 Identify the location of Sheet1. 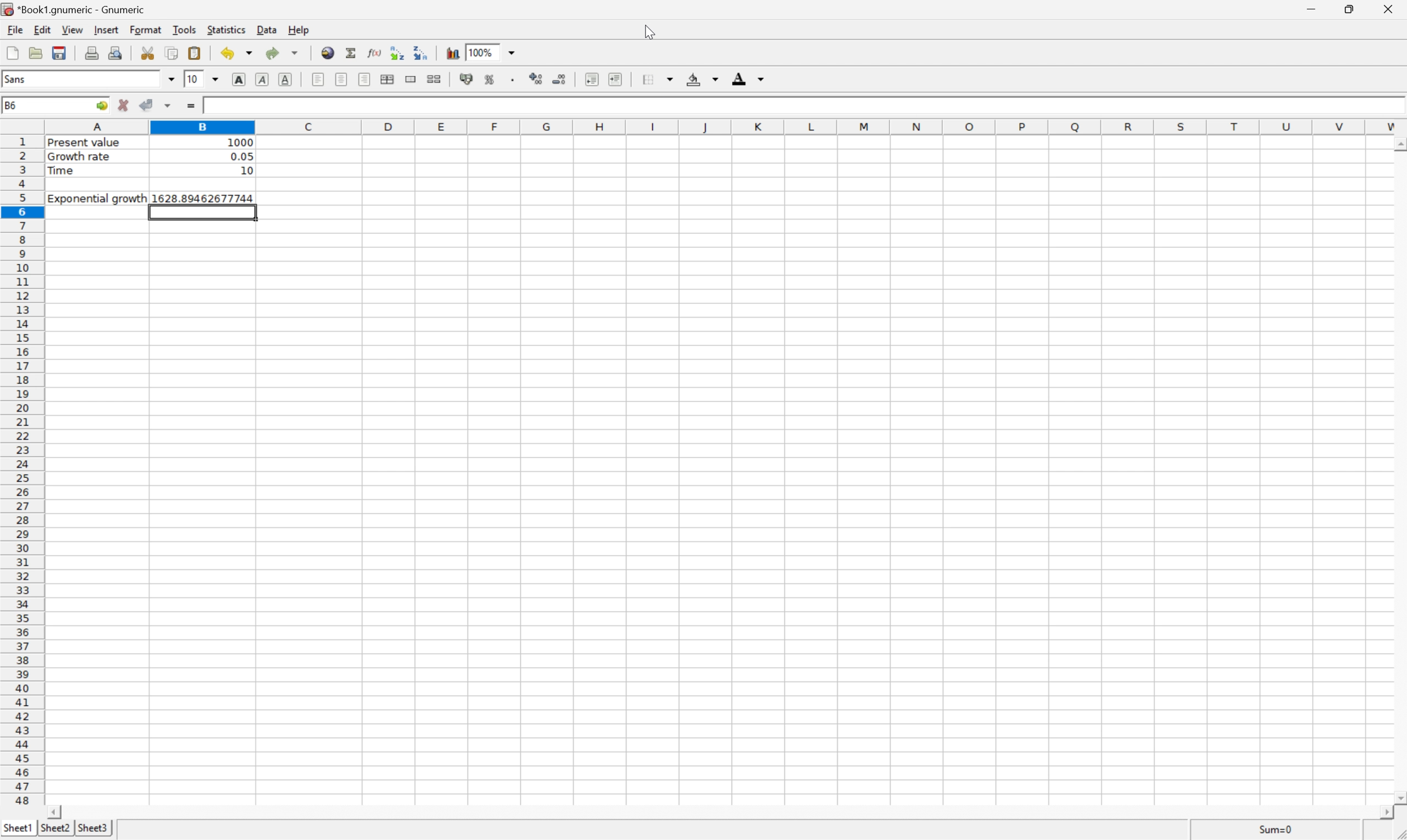
(19, 830).